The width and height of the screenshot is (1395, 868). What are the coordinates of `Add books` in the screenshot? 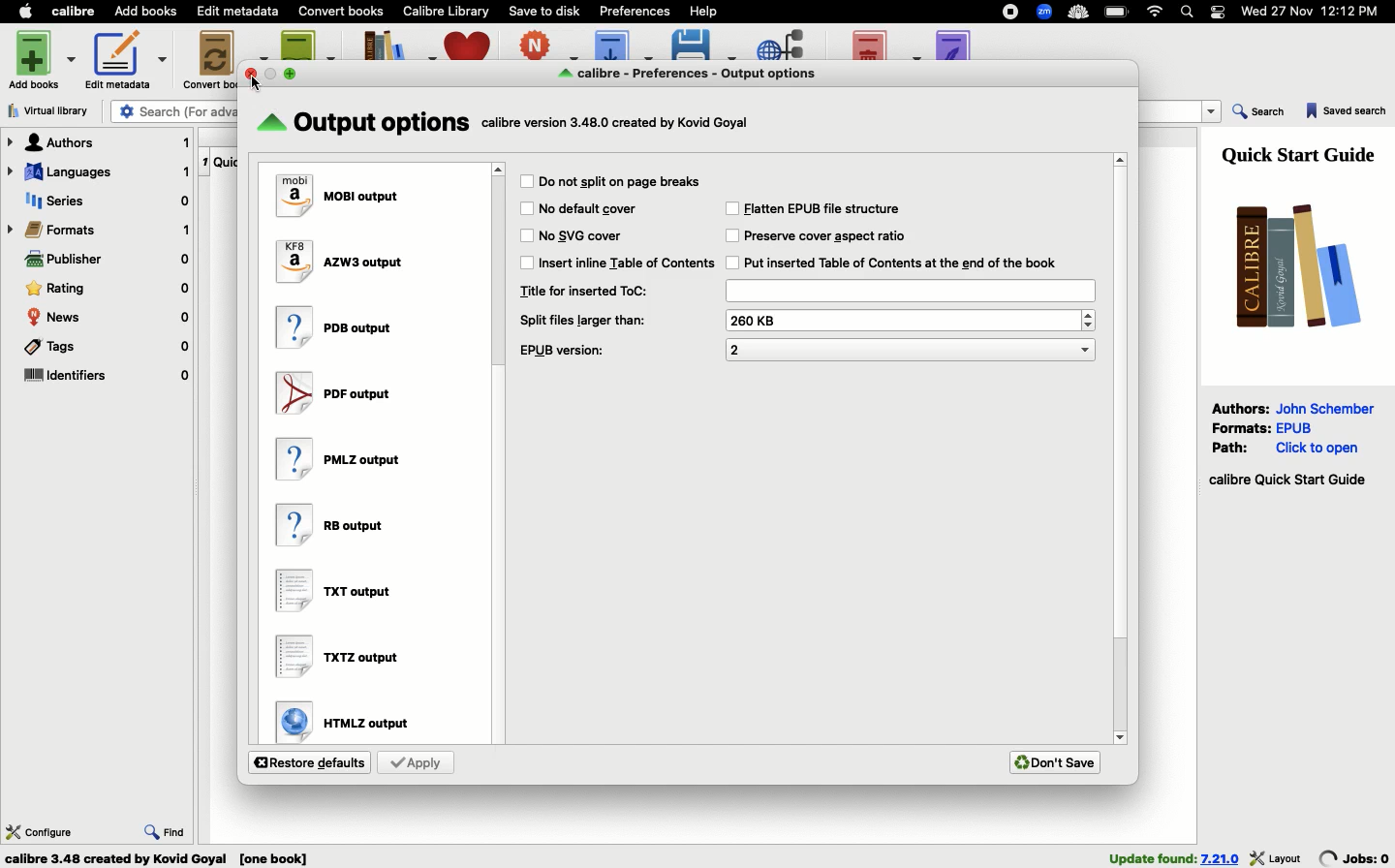 It's located at (146, 13).